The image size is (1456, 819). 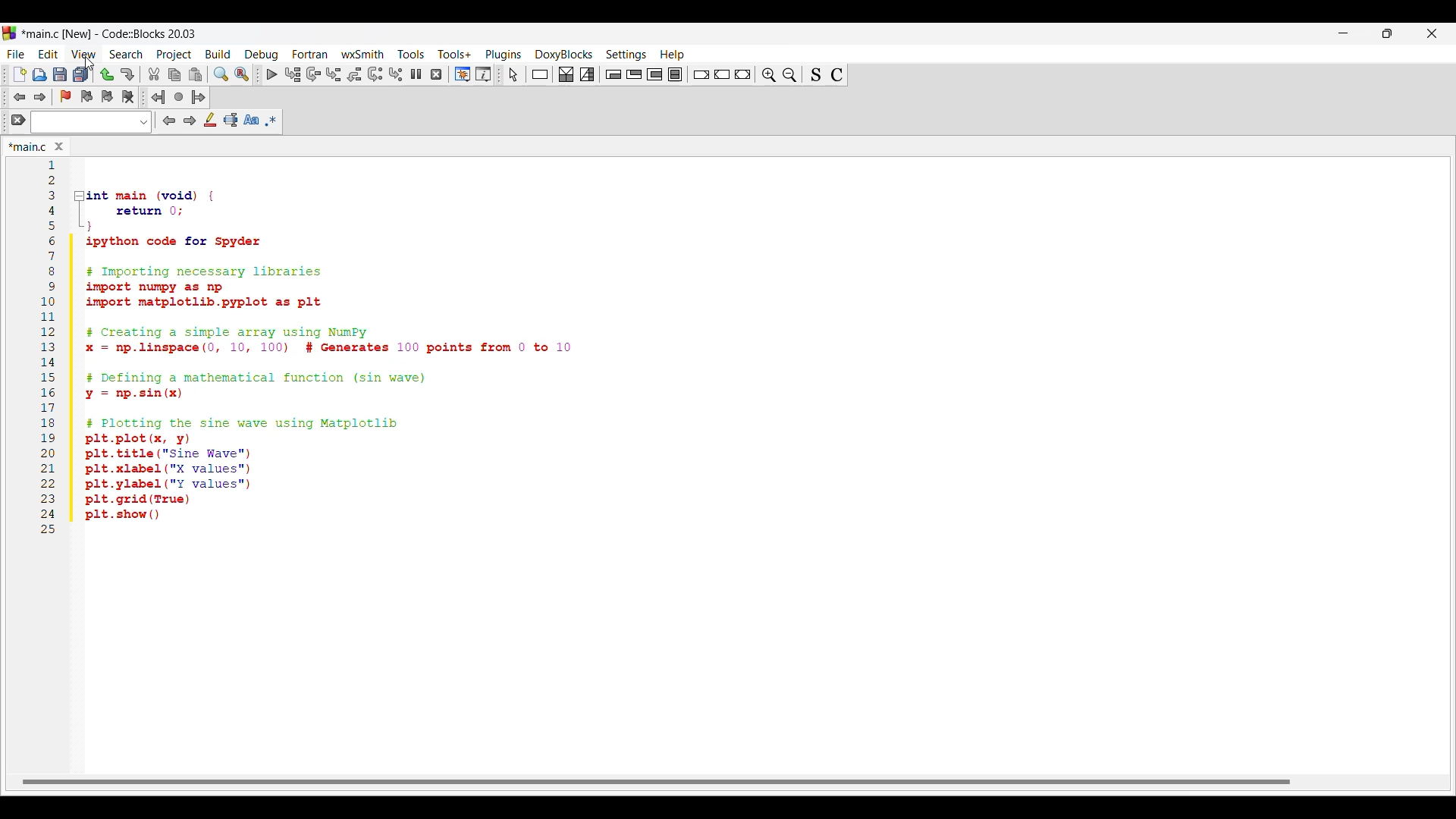 What do you see at coordinates (743, 74) in the screenshot?
I see `Return instruction` at bounding box center [743, 74].